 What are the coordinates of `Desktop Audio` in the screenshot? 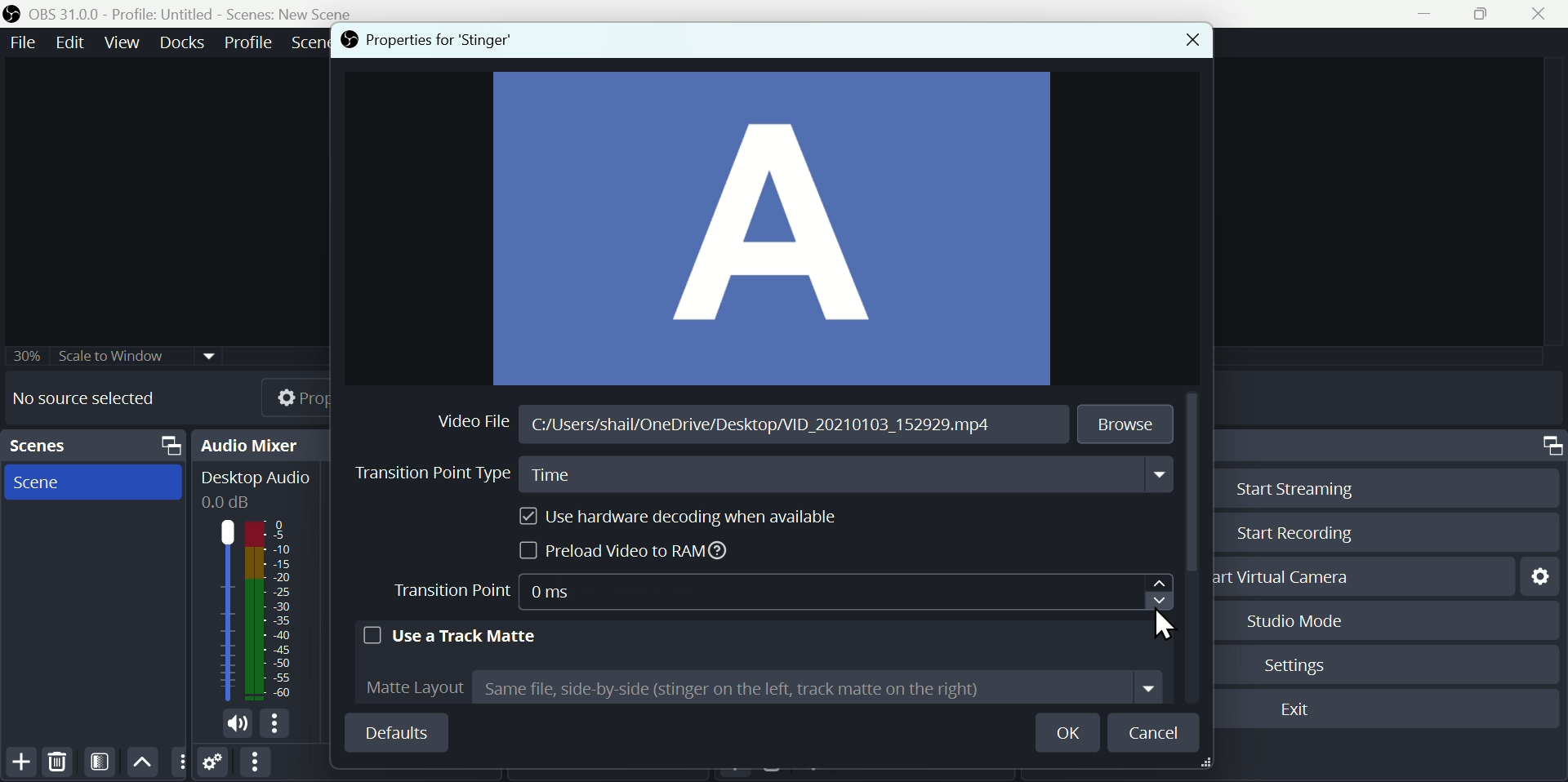 It's located at (254, 488).